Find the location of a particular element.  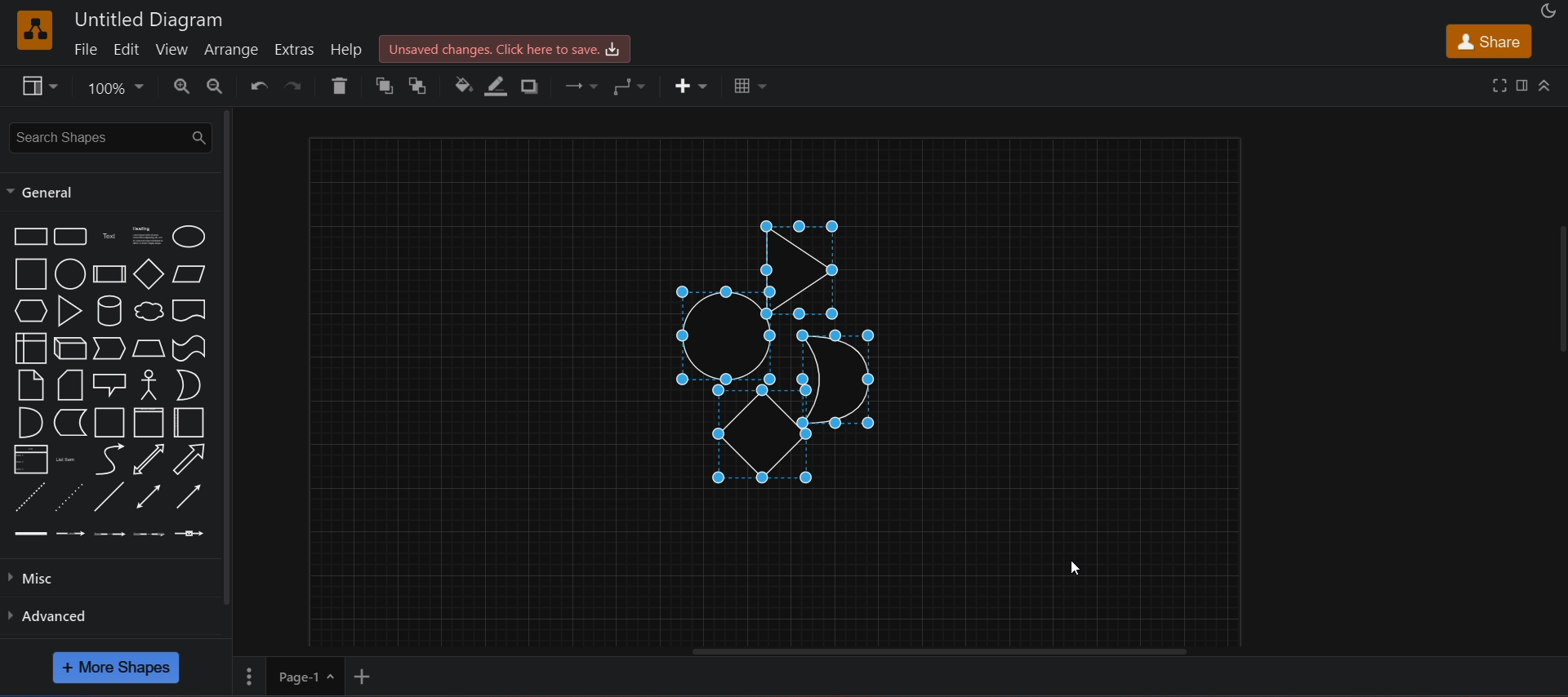

directional  is located at coordinates (187, 498).